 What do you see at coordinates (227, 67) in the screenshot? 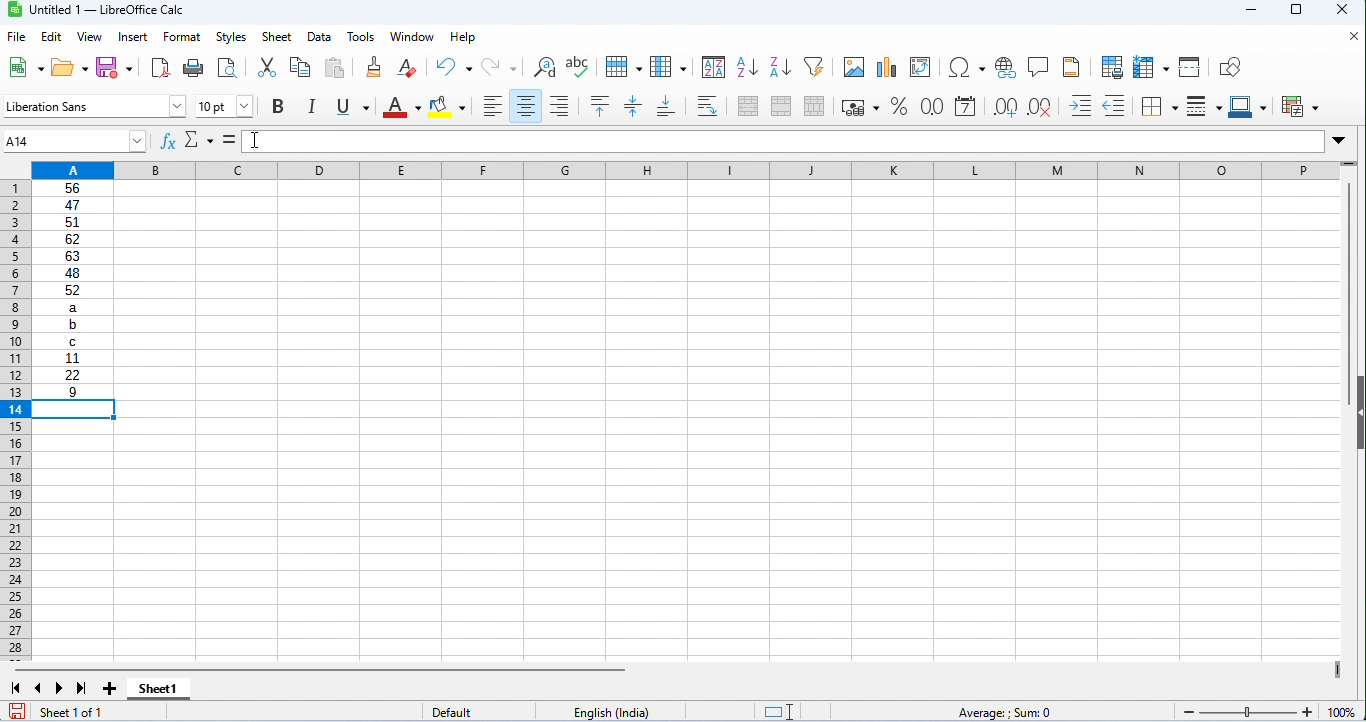
I see `toggle print preview` at bounding box center [227, 67].